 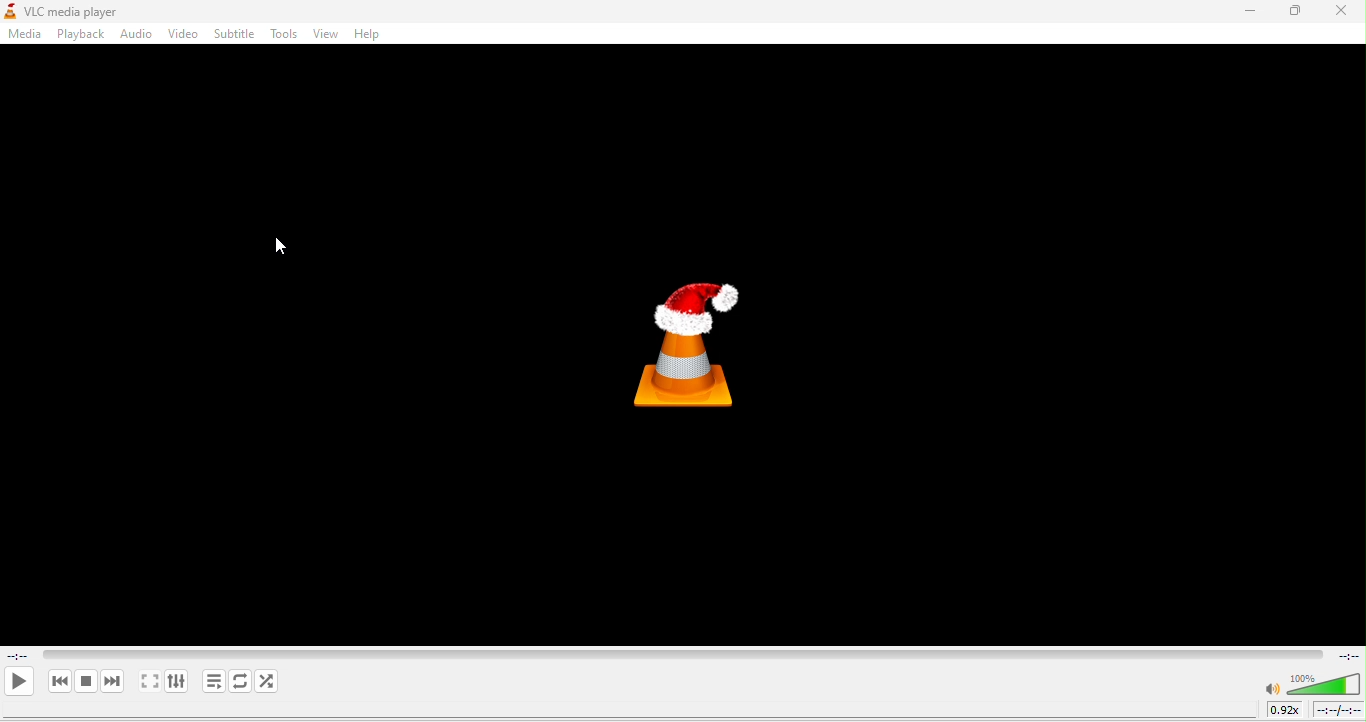 I want to click on random, so click(x=269, y=681).